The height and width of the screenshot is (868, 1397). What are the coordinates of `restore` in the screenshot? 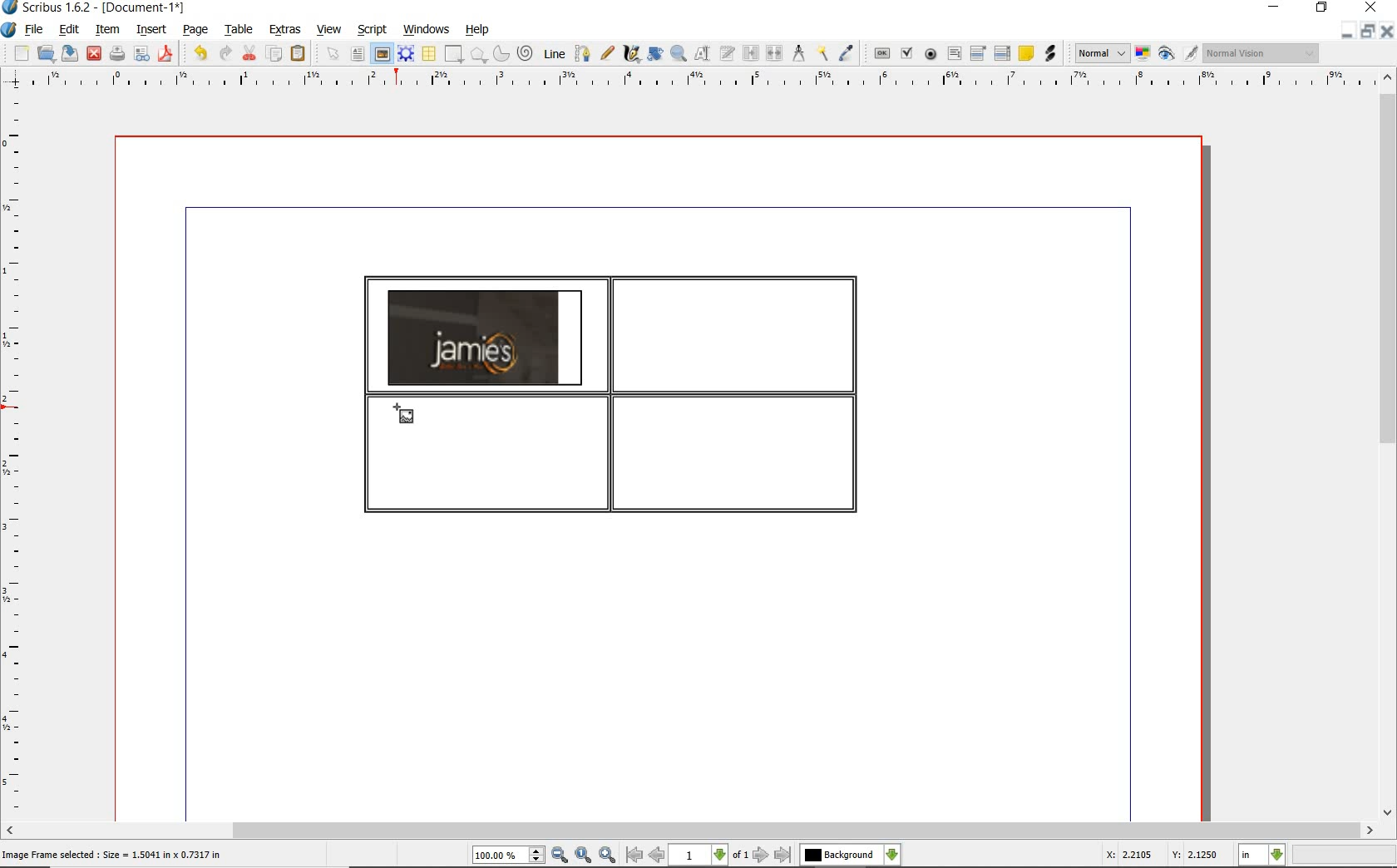 It's located at (1366, 32).